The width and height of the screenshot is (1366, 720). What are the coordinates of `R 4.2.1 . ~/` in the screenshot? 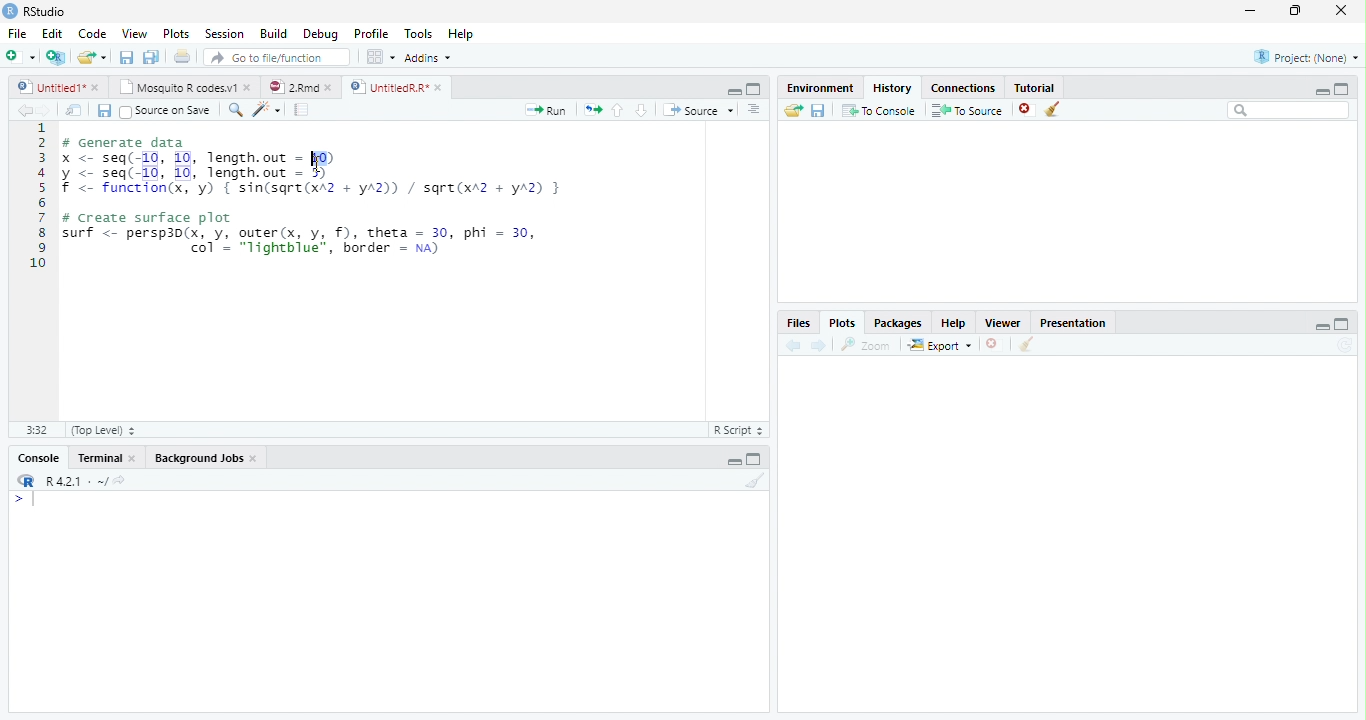 It's located at (76, 480).